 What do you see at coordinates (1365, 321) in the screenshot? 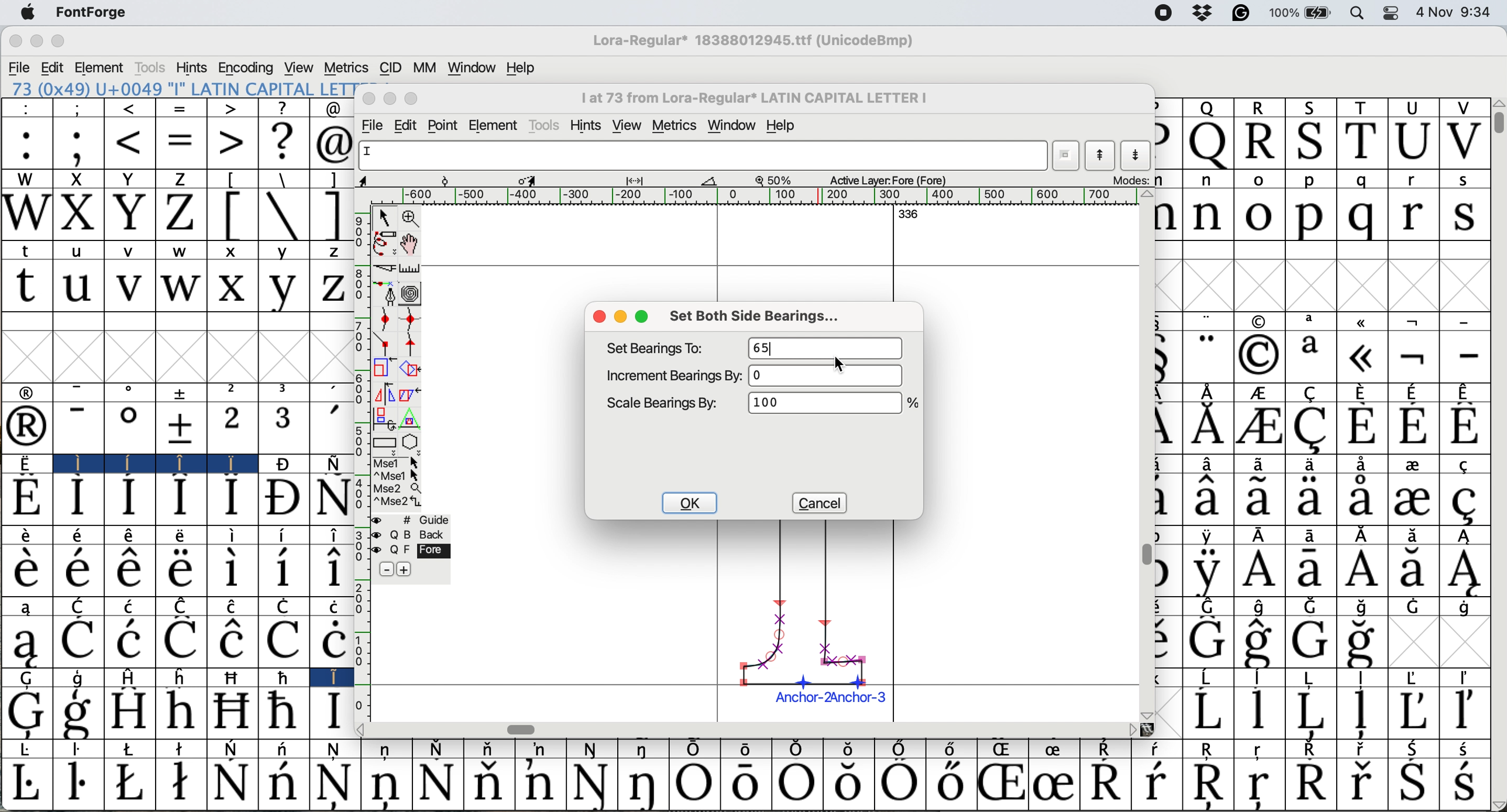
I see `symbol` at bounding box center [1365, 321].